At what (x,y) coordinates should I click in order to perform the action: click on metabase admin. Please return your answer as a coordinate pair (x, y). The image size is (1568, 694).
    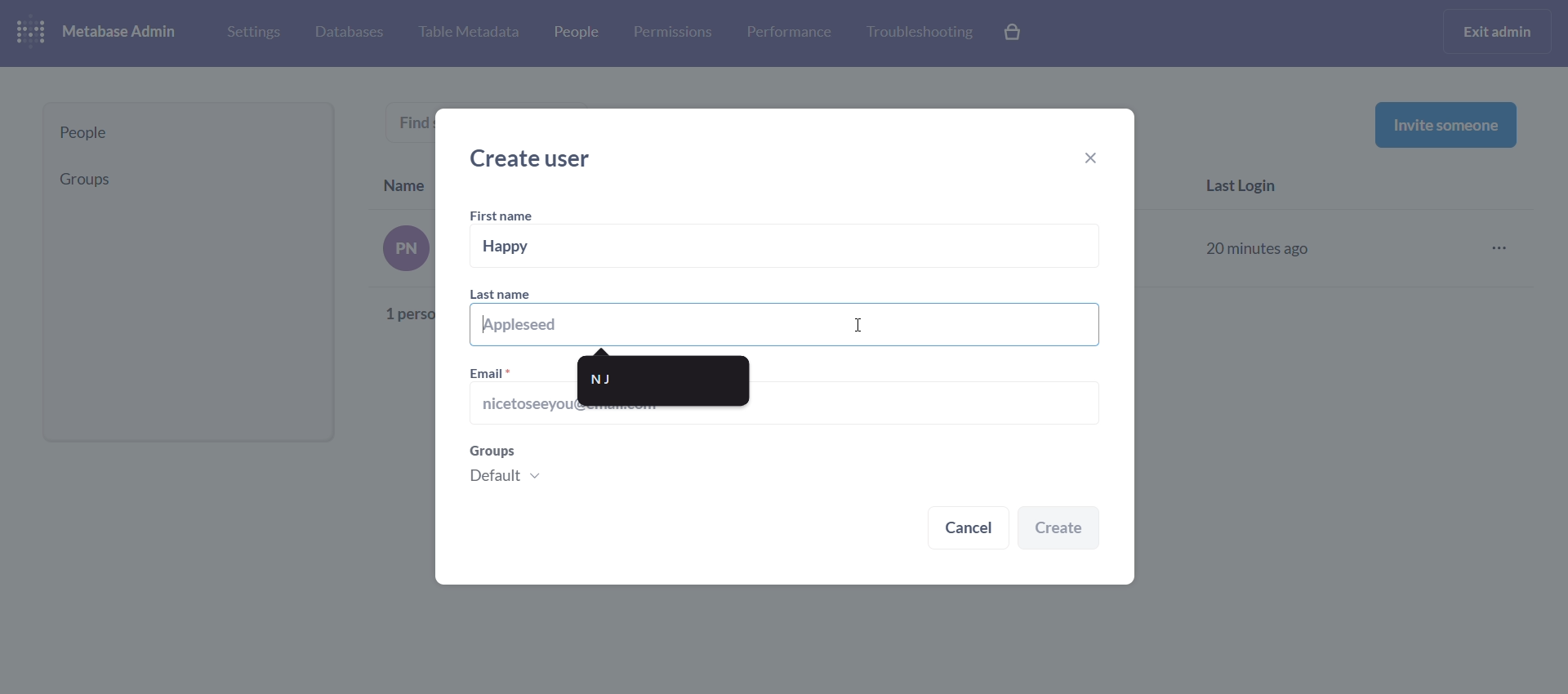
    Looking at the image, I should click on (126, 33).